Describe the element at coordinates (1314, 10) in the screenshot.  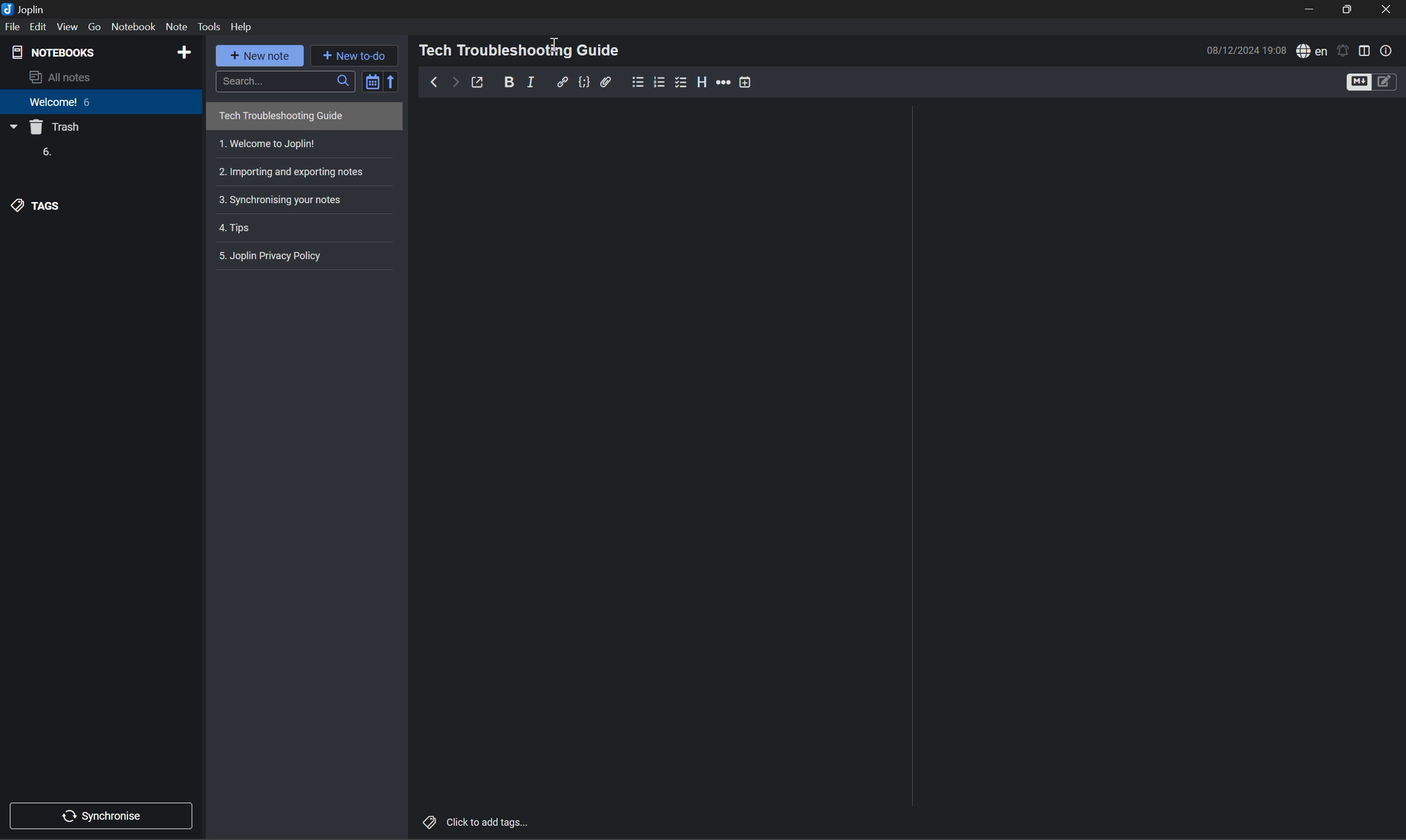
I see `Minimize` at that location.